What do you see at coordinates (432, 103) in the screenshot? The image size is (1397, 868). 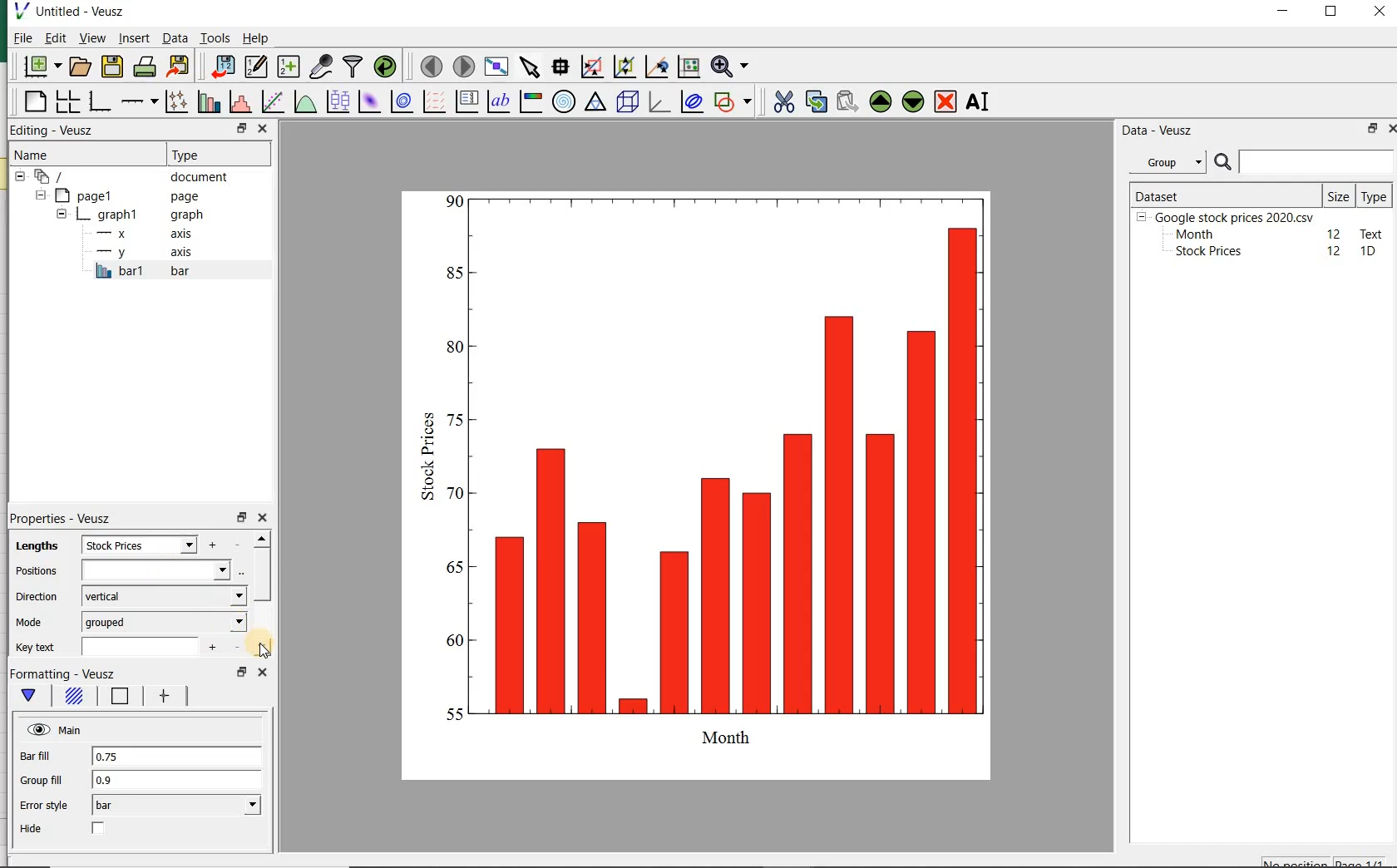 I see `plot a vector field` at bounding box center [432, 103].